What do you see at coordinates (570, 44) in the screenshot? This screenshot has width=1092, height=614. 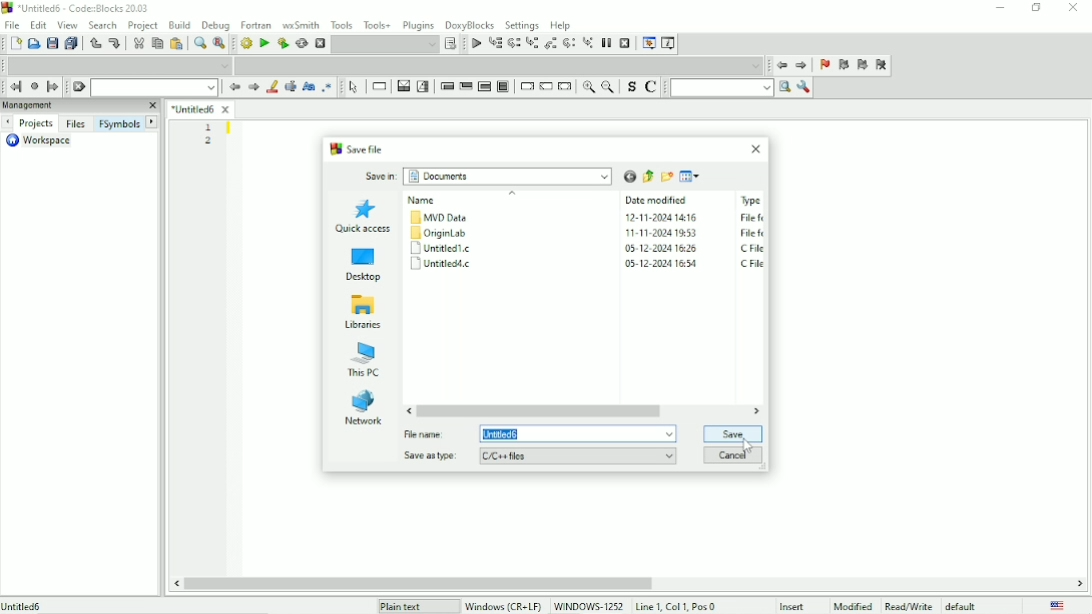 I see `Next instruction` at bounding box center [570, 44].